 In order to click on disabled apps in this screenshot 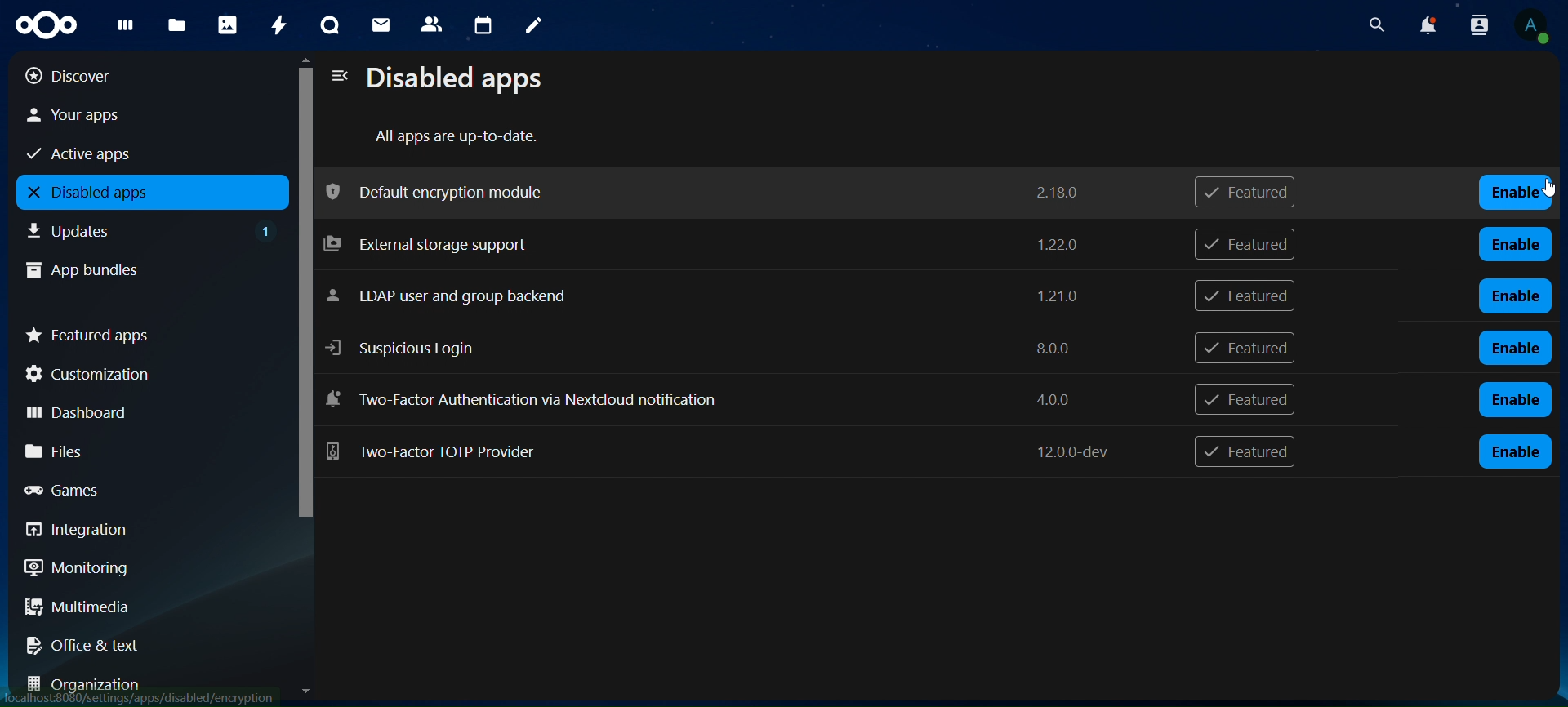, I will do `click(462, 80)`.